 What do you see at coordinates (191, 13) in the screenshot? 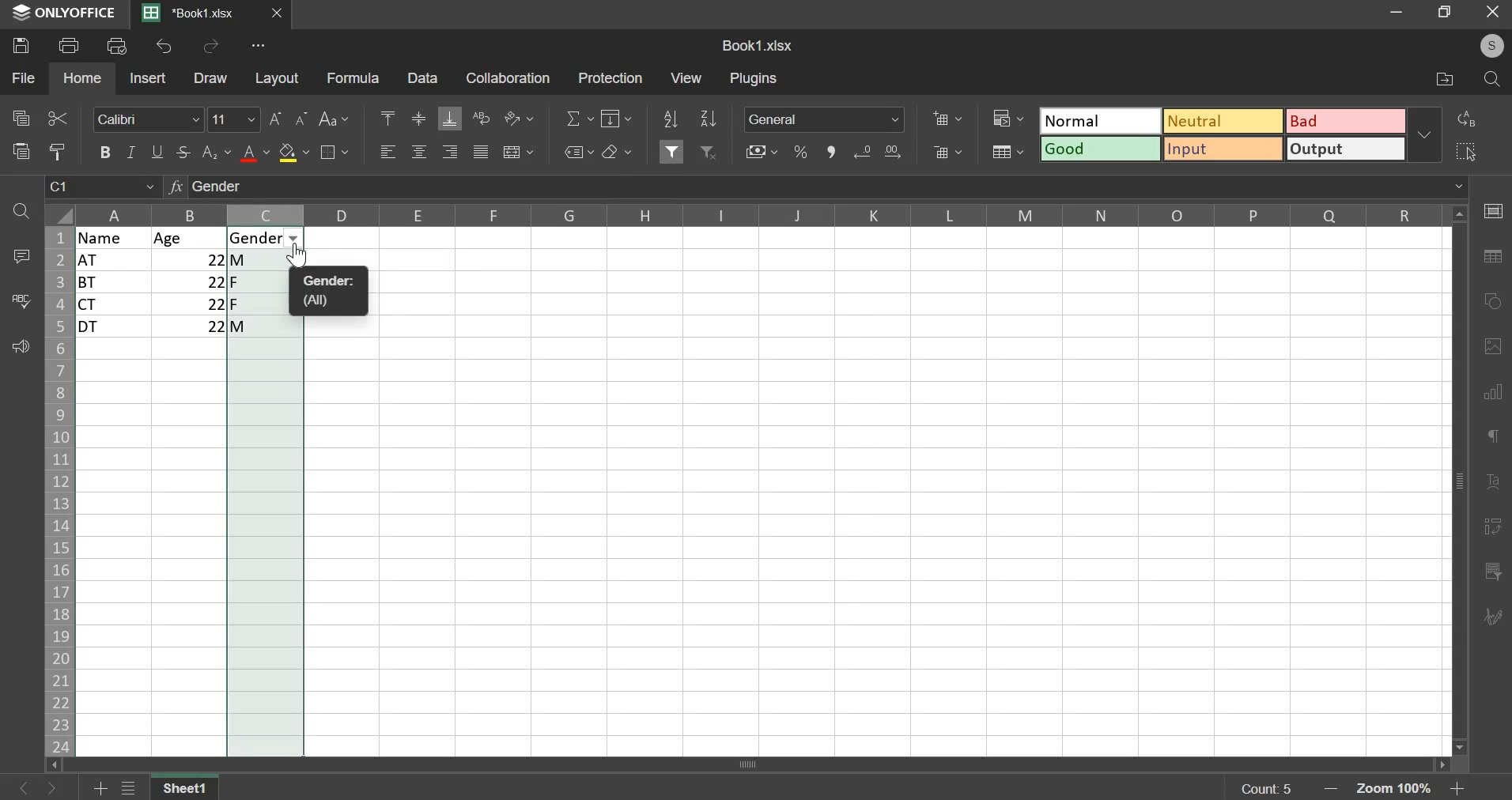
I see `*book1.xlsx` at bounding box center [191, 13].